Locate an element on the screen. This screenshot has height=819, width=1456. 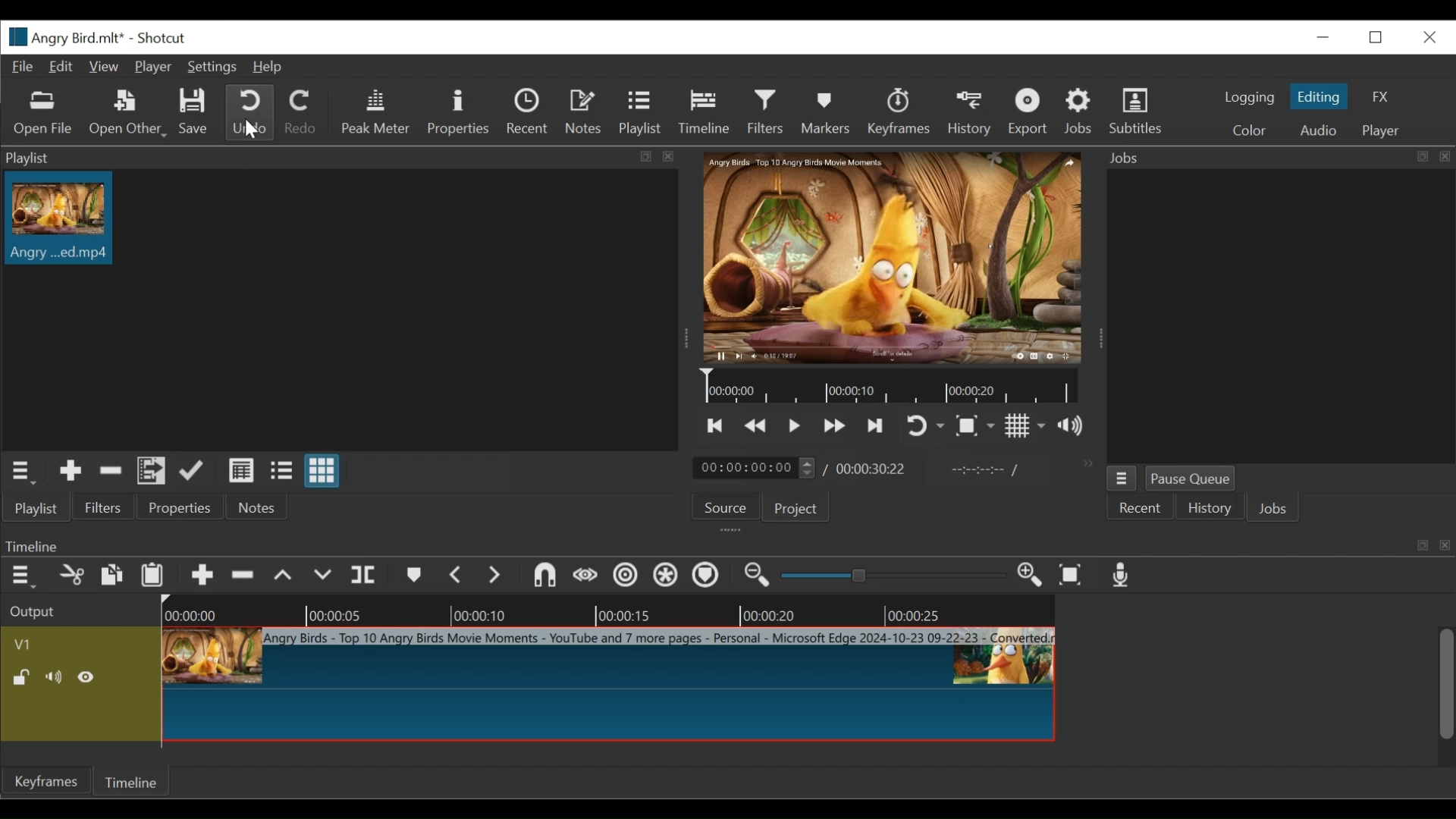
Export is located at coordinates (1030, 111).